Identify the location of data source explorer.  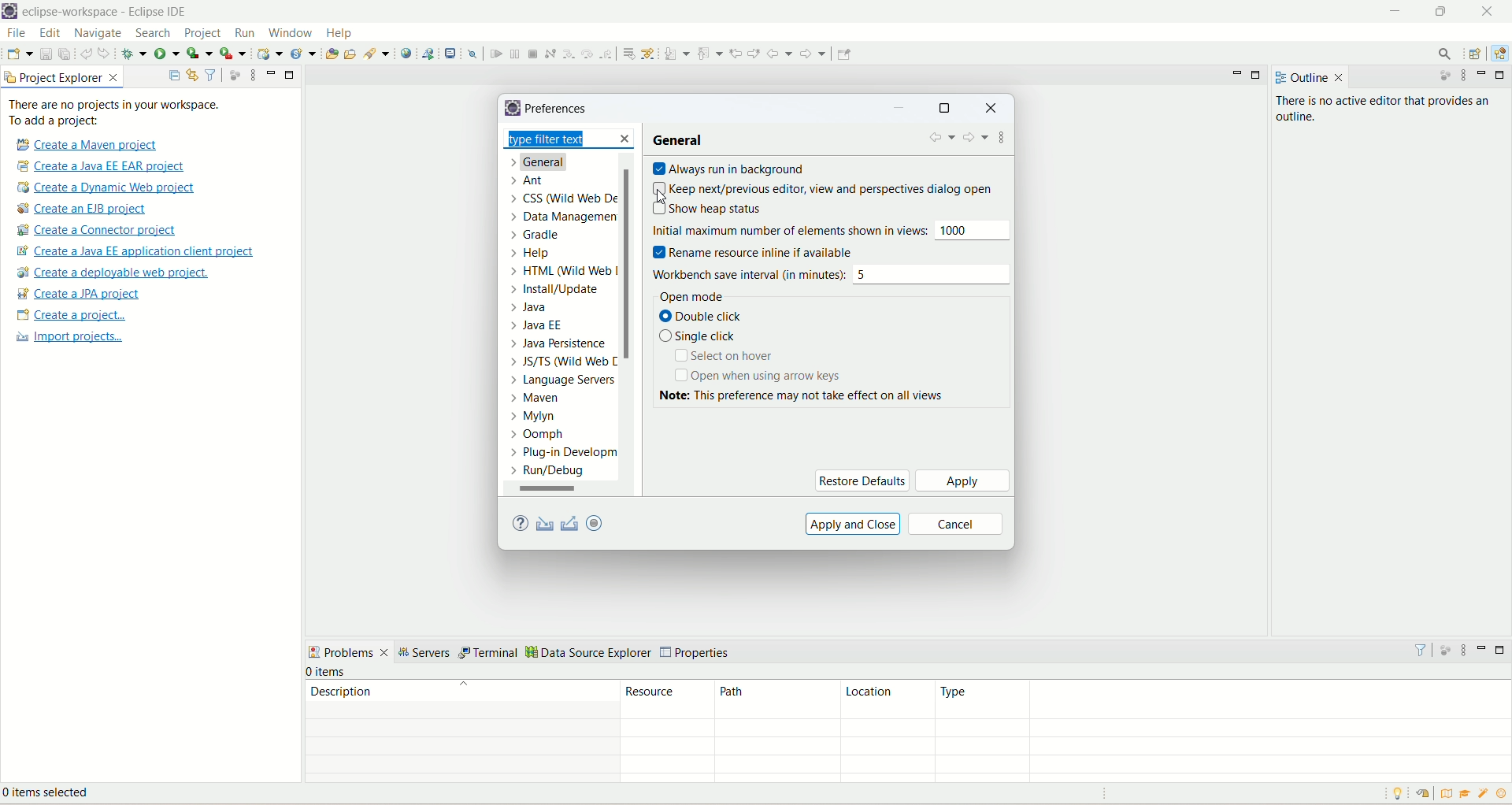
(589, 654).